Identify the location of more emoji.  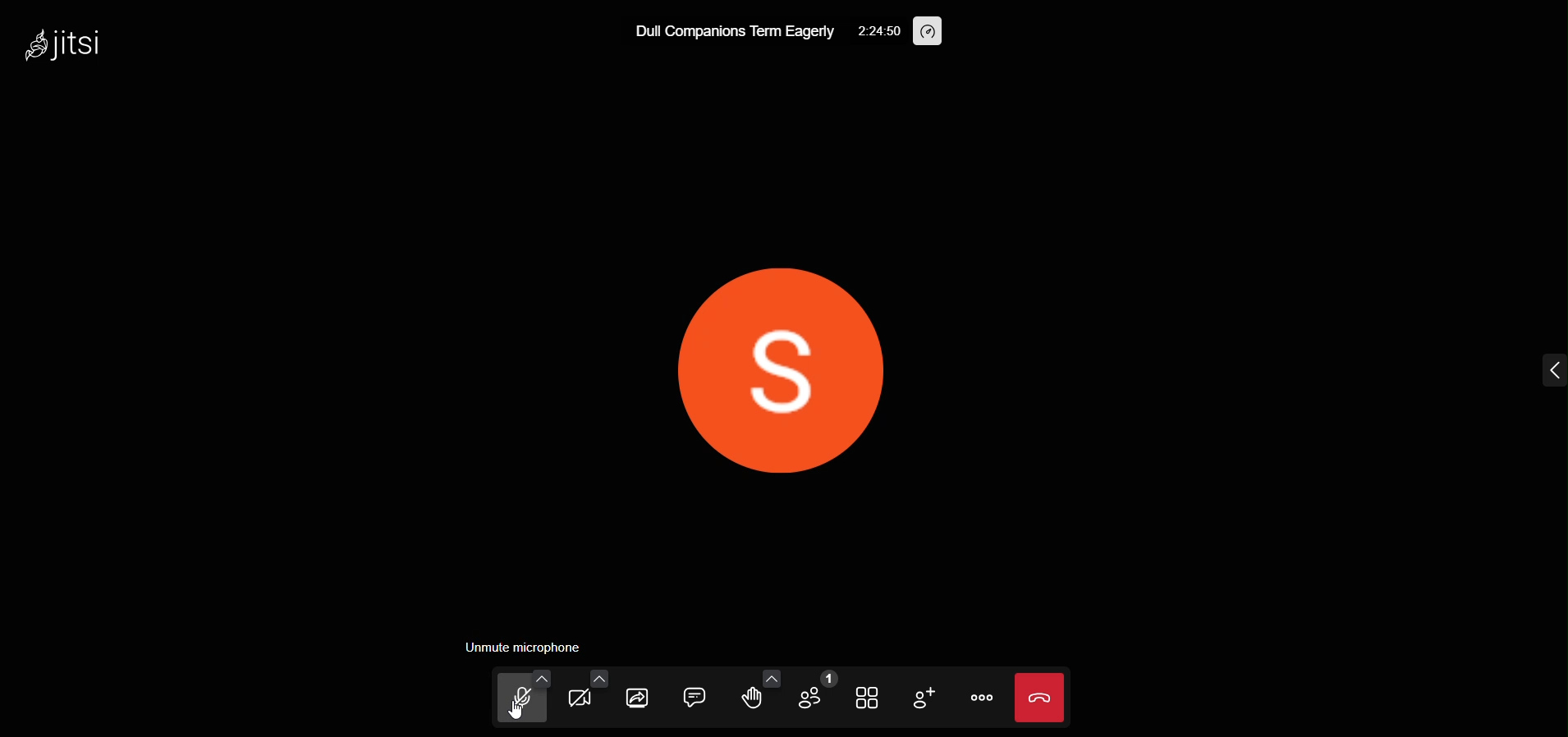
(763, 675).